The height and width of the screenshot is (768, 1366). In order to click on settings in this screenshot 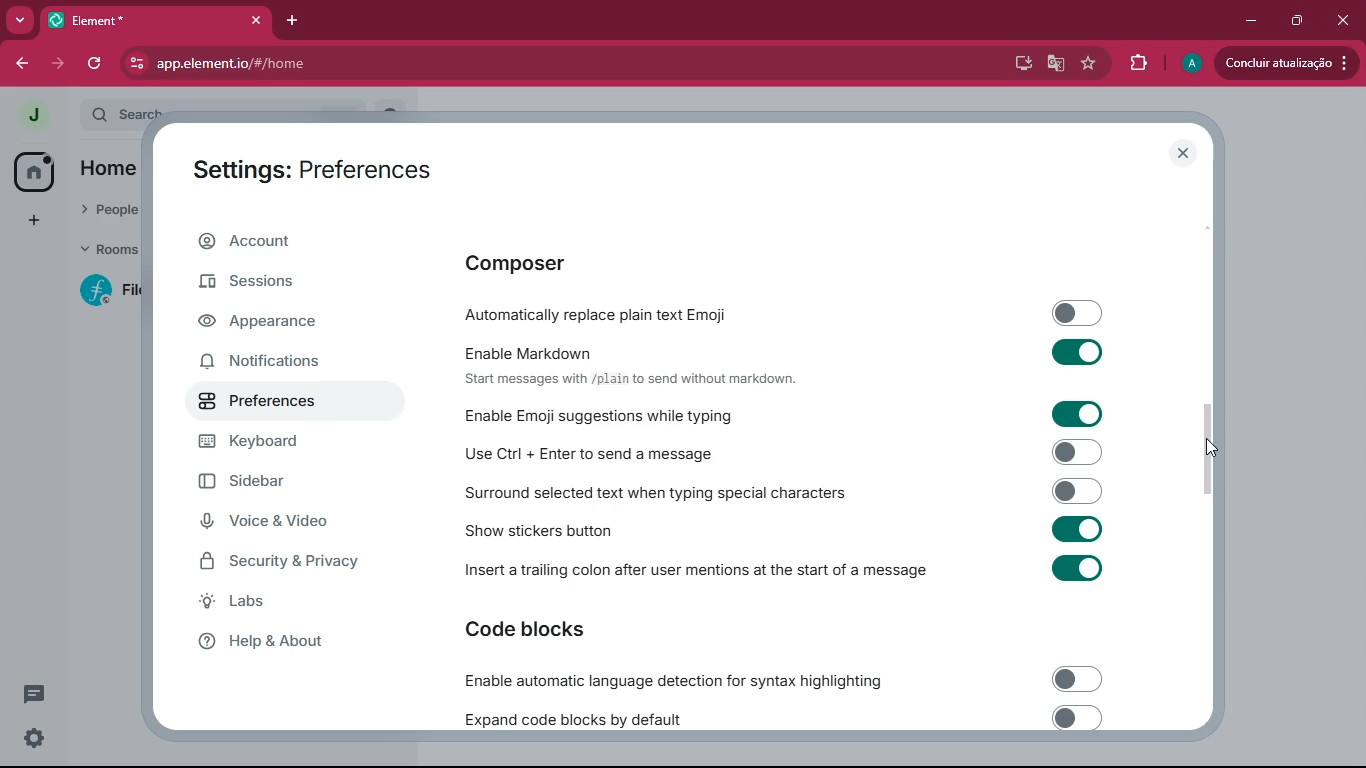, I will do `click(29, 738)`.